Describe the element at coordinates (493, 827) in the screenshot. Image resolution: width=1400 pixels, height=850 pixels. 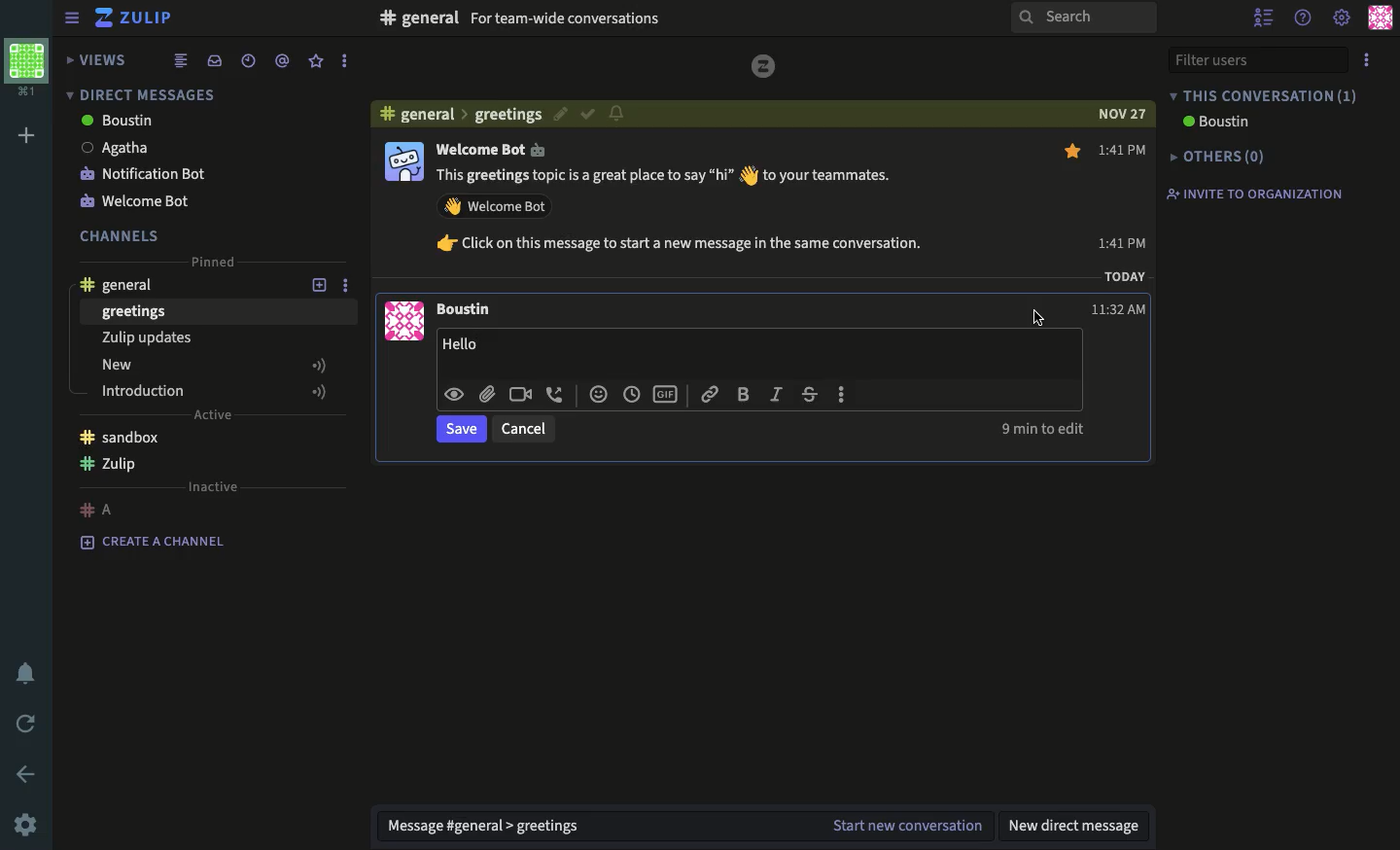
I see `message general` at that location.